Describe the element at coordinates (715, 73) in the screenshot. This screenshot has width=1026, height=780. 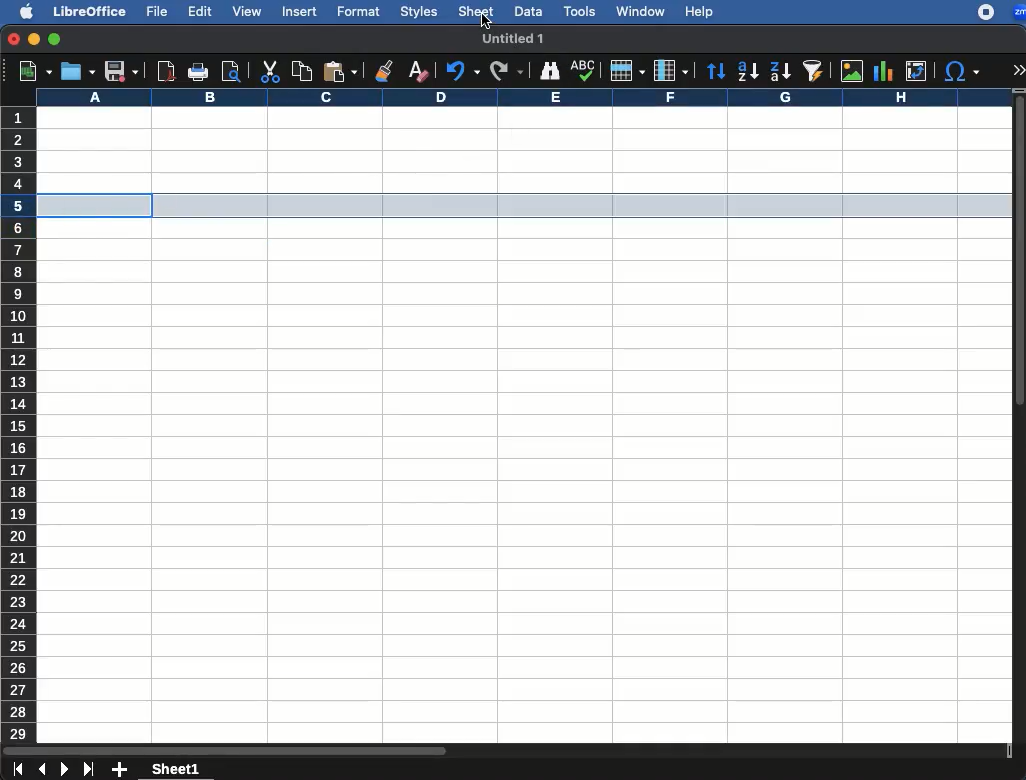
I see `sort` at that location.